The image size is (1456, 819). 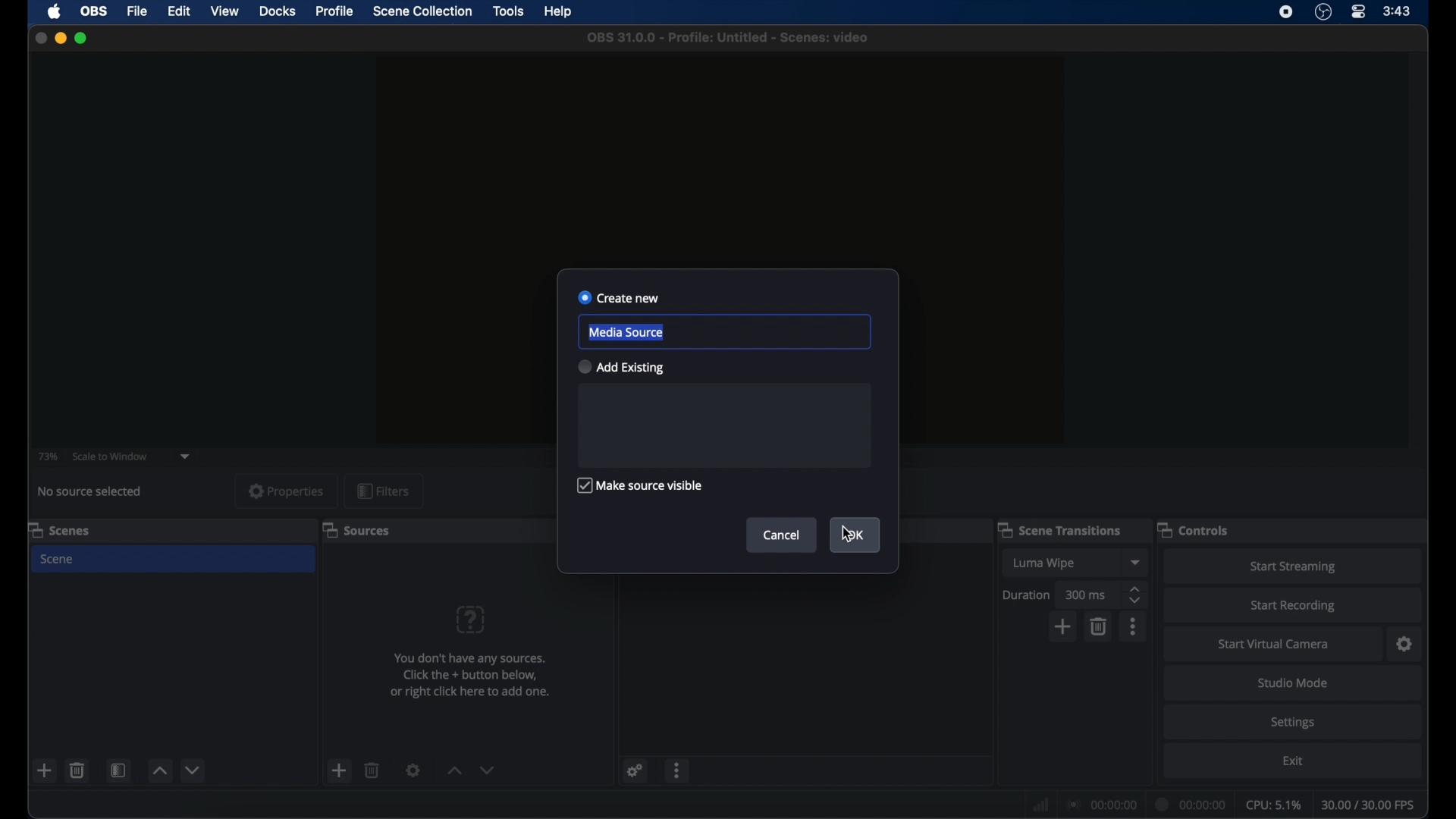 I want to click on scene transitions, so click(x=1059, y=529).